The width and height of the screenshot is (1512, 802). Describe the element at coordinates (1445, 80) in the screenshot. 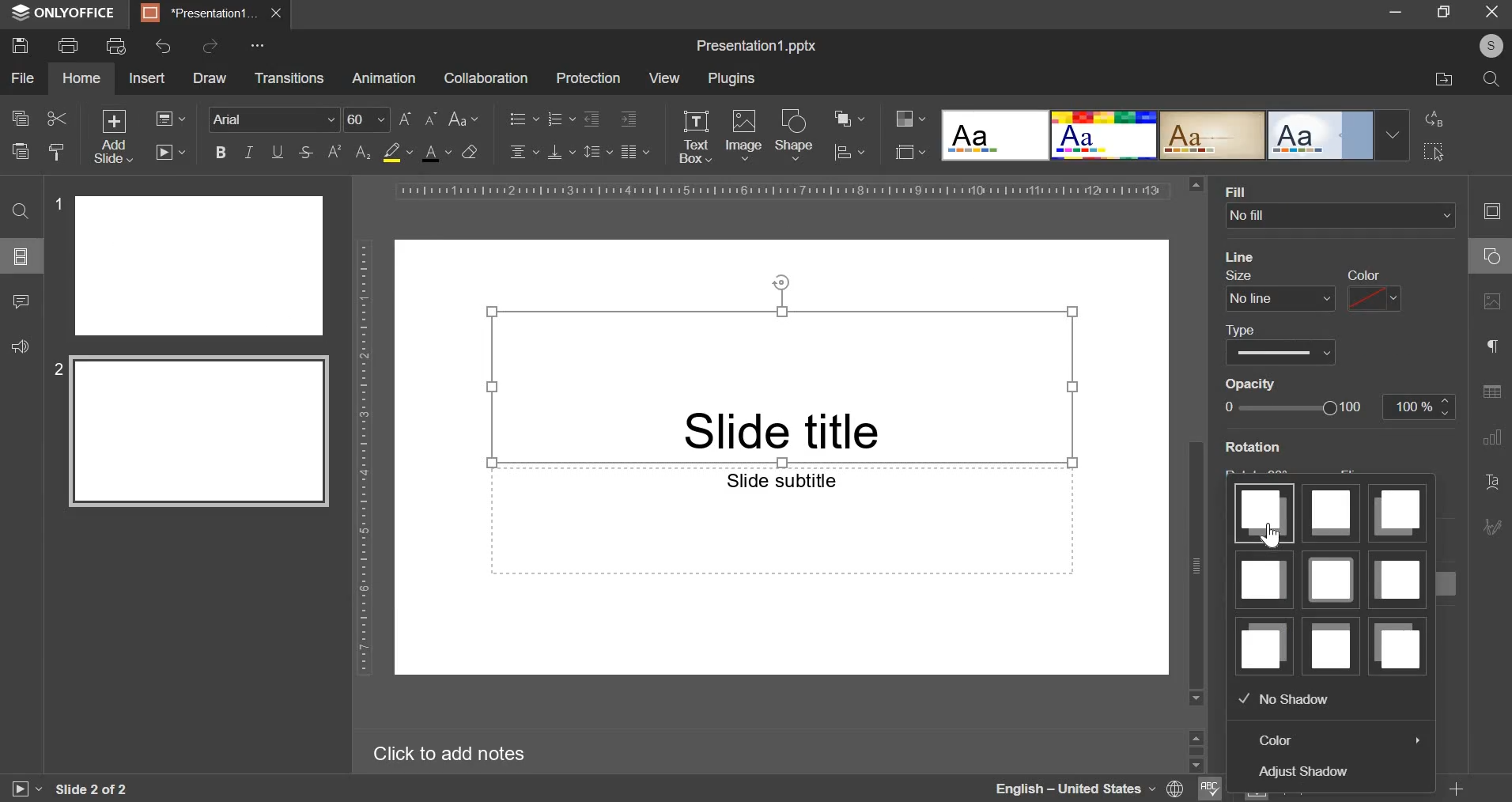

I see `file location` at that location.